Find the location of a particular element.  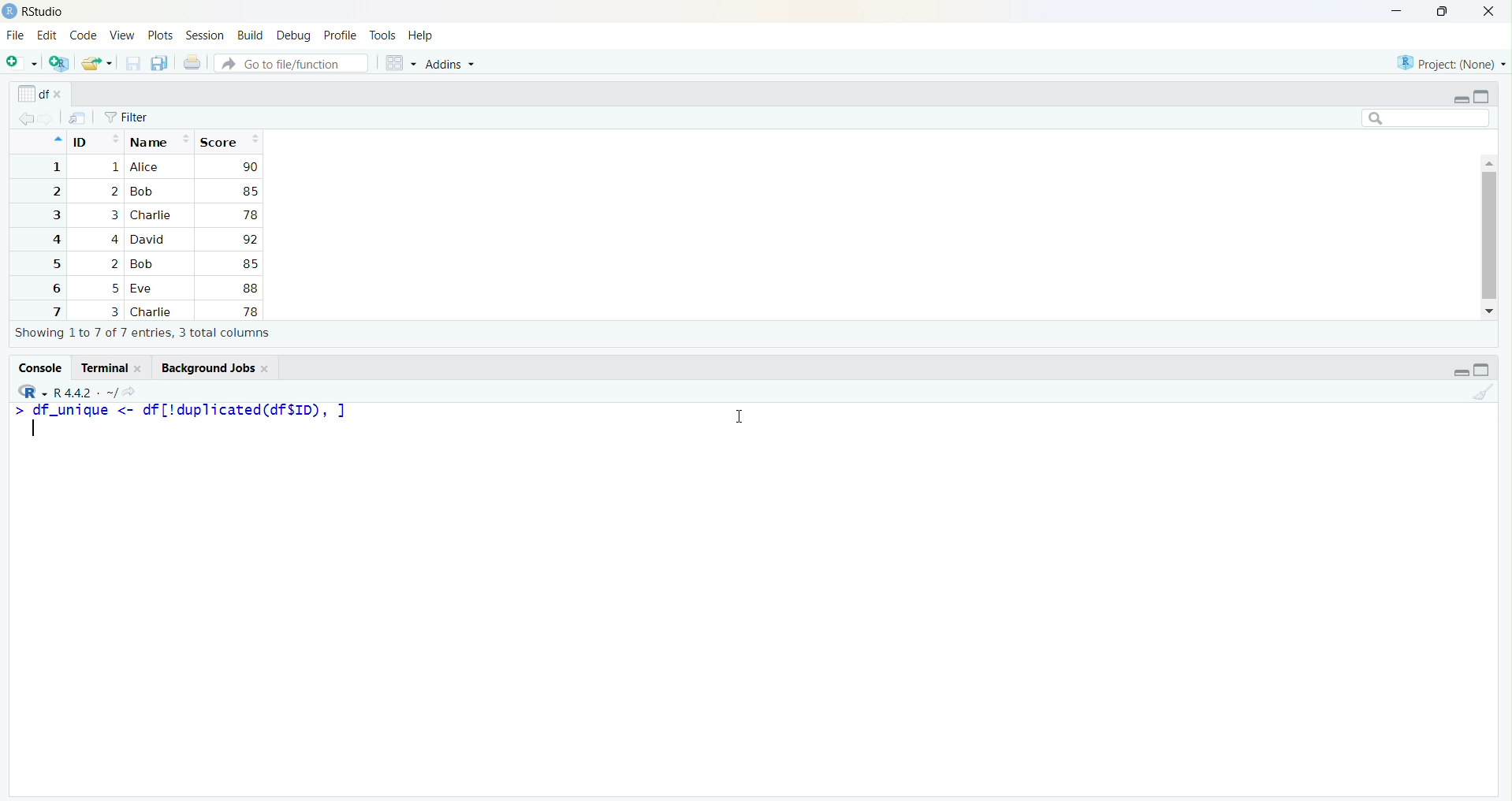

ID is located at coordinates (95, 140).